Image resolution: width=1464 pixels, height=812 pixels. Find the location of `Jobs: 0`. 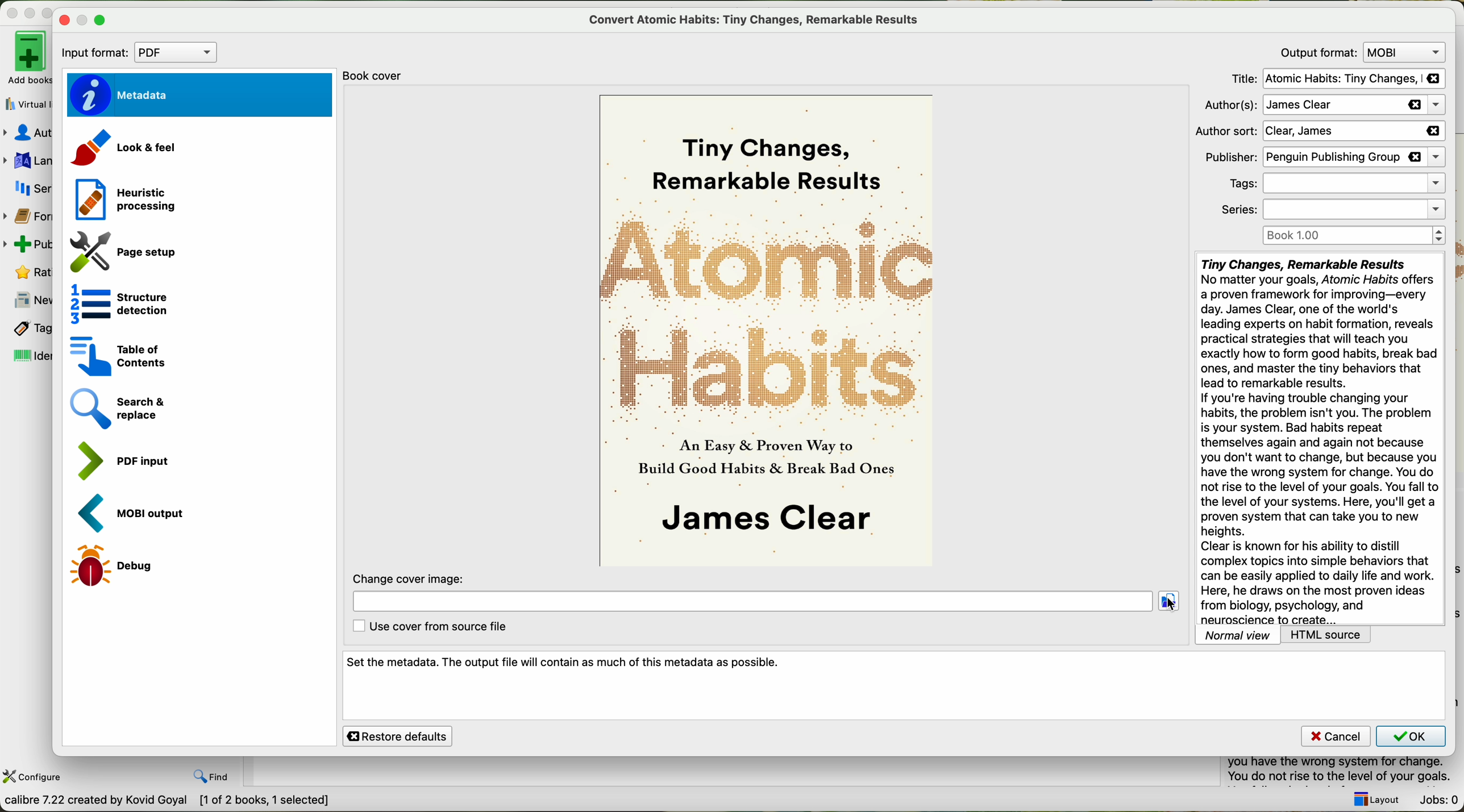

Jobs: 0 is located at coordinates (1438, 801).